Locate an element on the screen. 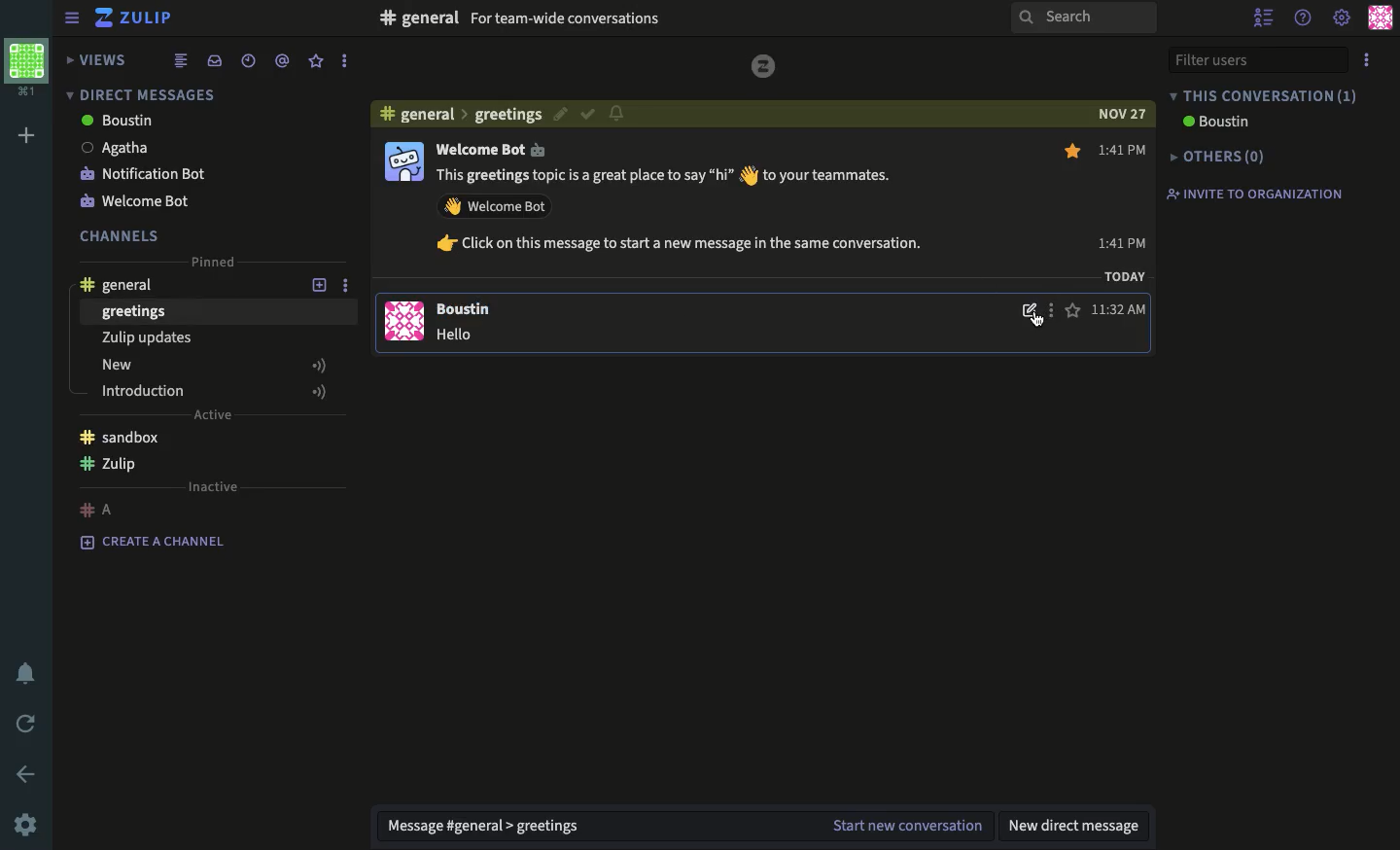  favorite is located at coordinates (1074, 230).